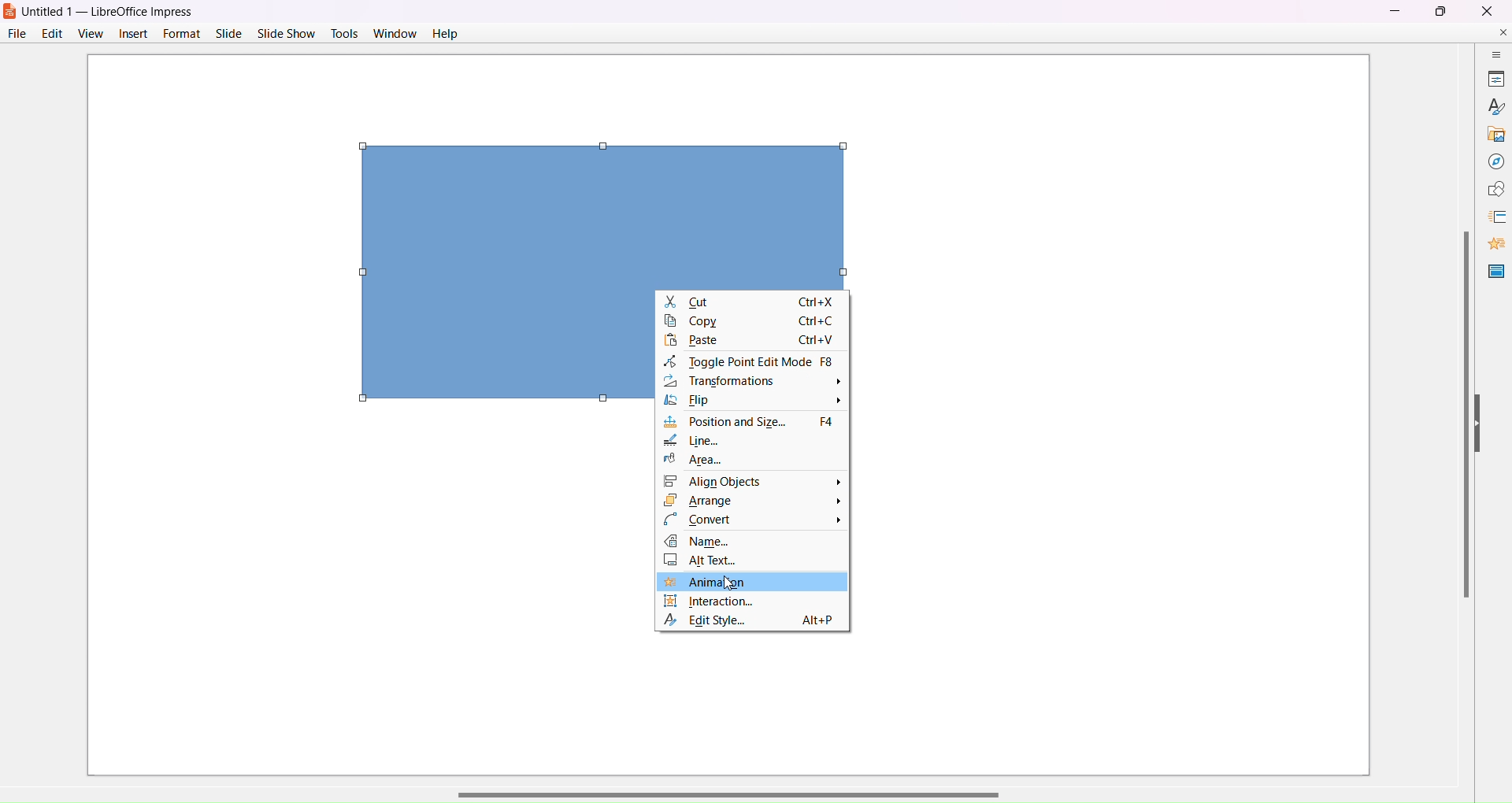 The height and width of the screenshot is (803, 1512). Describe the element at coordinates (1482, 424) in the screenshot. I see `Hide` at that location.